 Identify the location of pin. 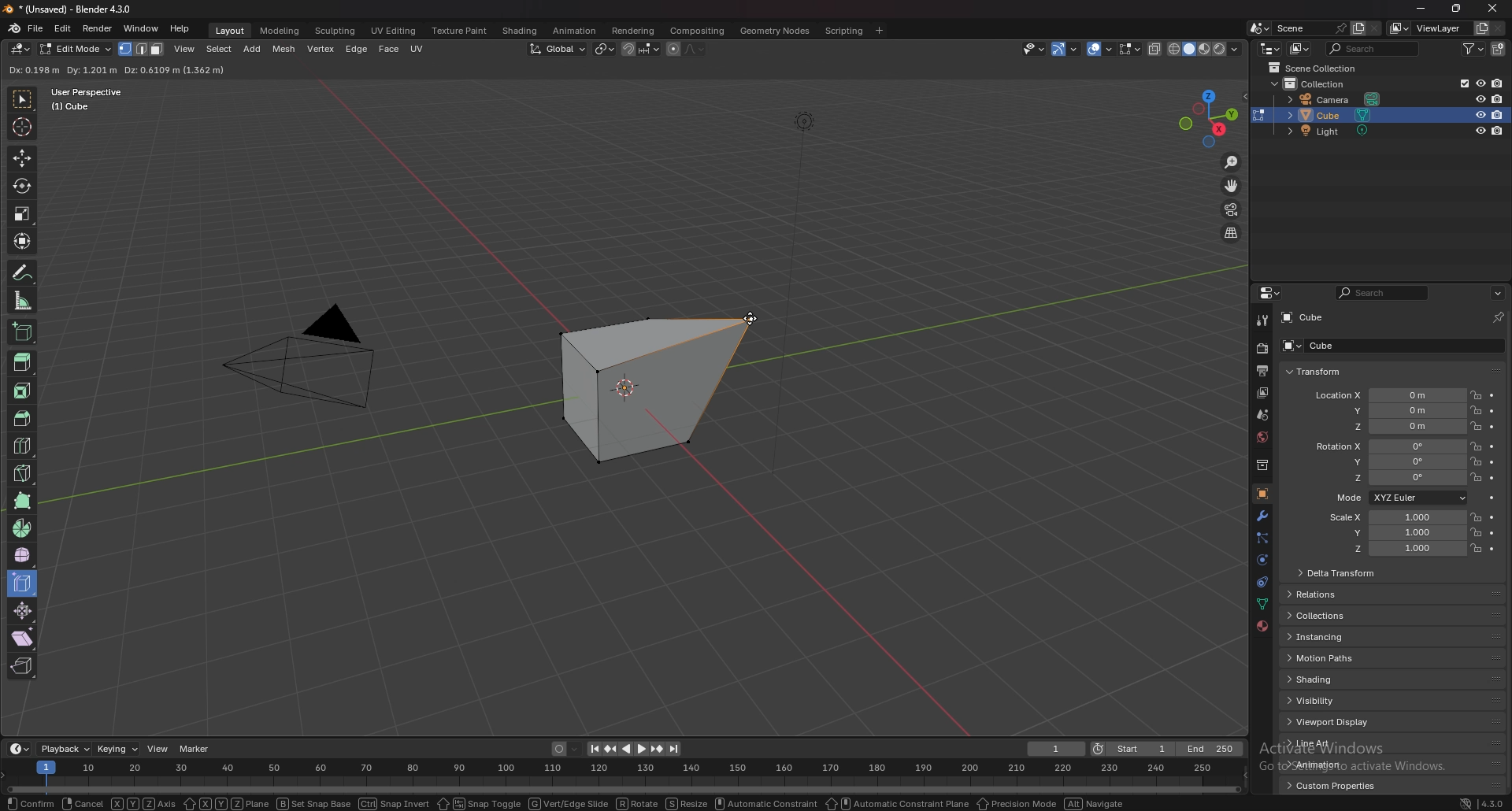
(1496, 317).